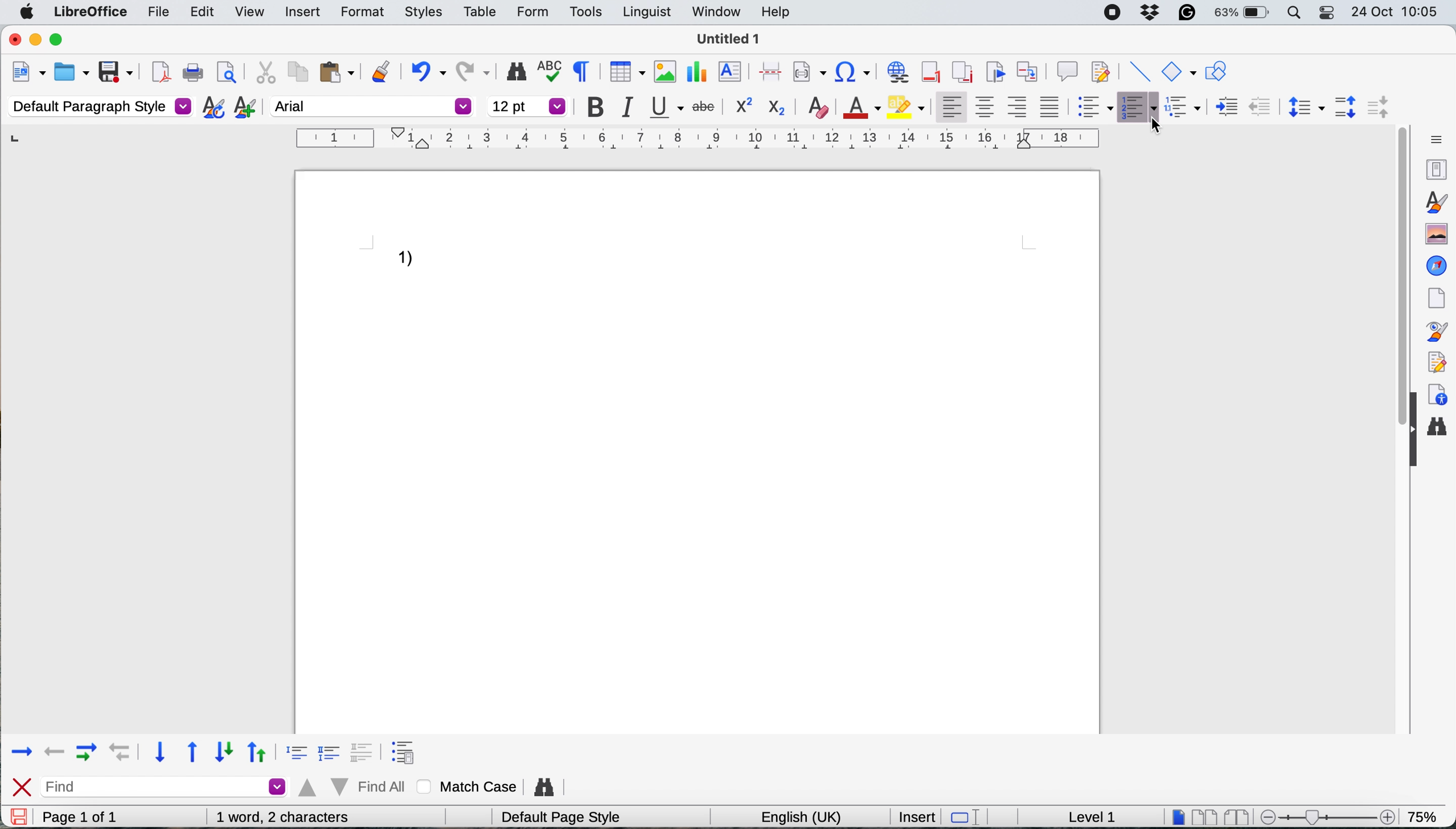  Describe the element at coordinates (117, 71) in the screenshot. I see `save` at that location.